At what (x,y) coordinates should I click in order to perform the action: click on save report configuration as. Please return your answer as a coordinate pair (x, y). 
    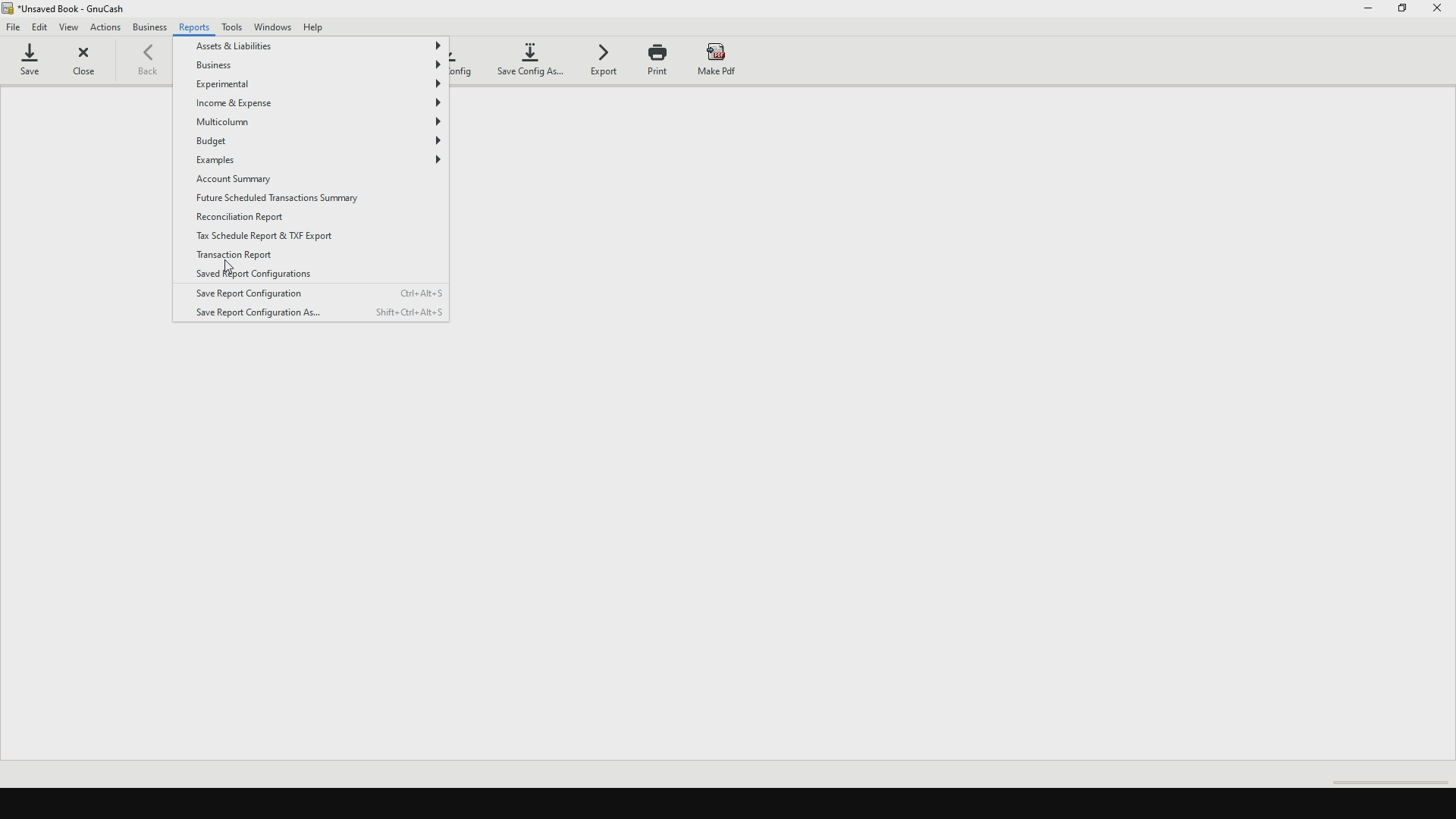
    Looking at the image, I should click on (312, 313).